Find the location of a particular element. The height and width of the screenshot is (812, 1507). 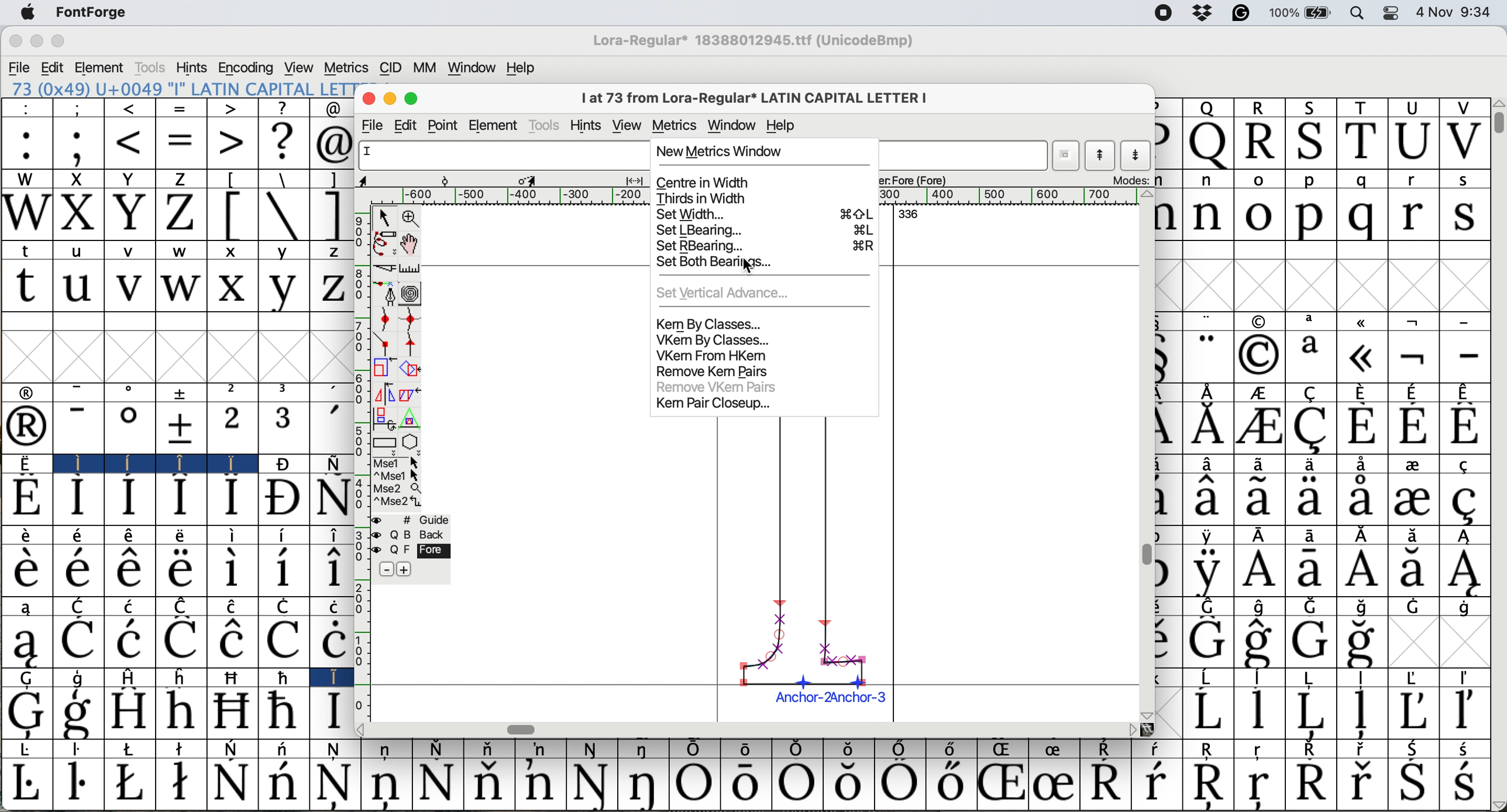

Symbol is located at coordinates (1309, 712).